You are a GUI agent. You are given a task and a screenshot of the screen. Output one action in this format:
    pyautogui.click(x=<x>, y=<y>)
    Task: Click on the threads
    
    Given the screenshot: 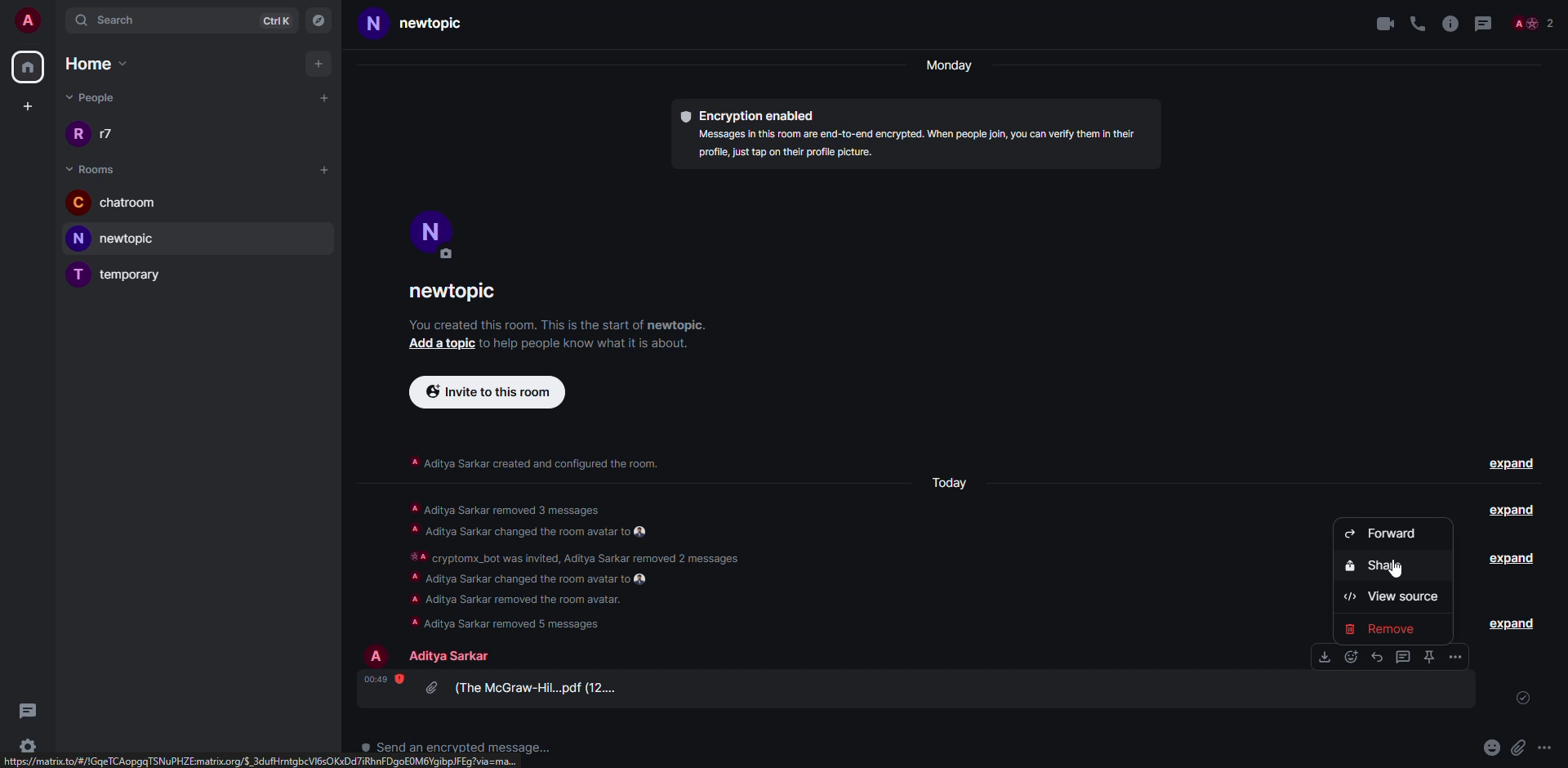 What is the action you would take?
    pyautogui.click(x=27, y=710)
    